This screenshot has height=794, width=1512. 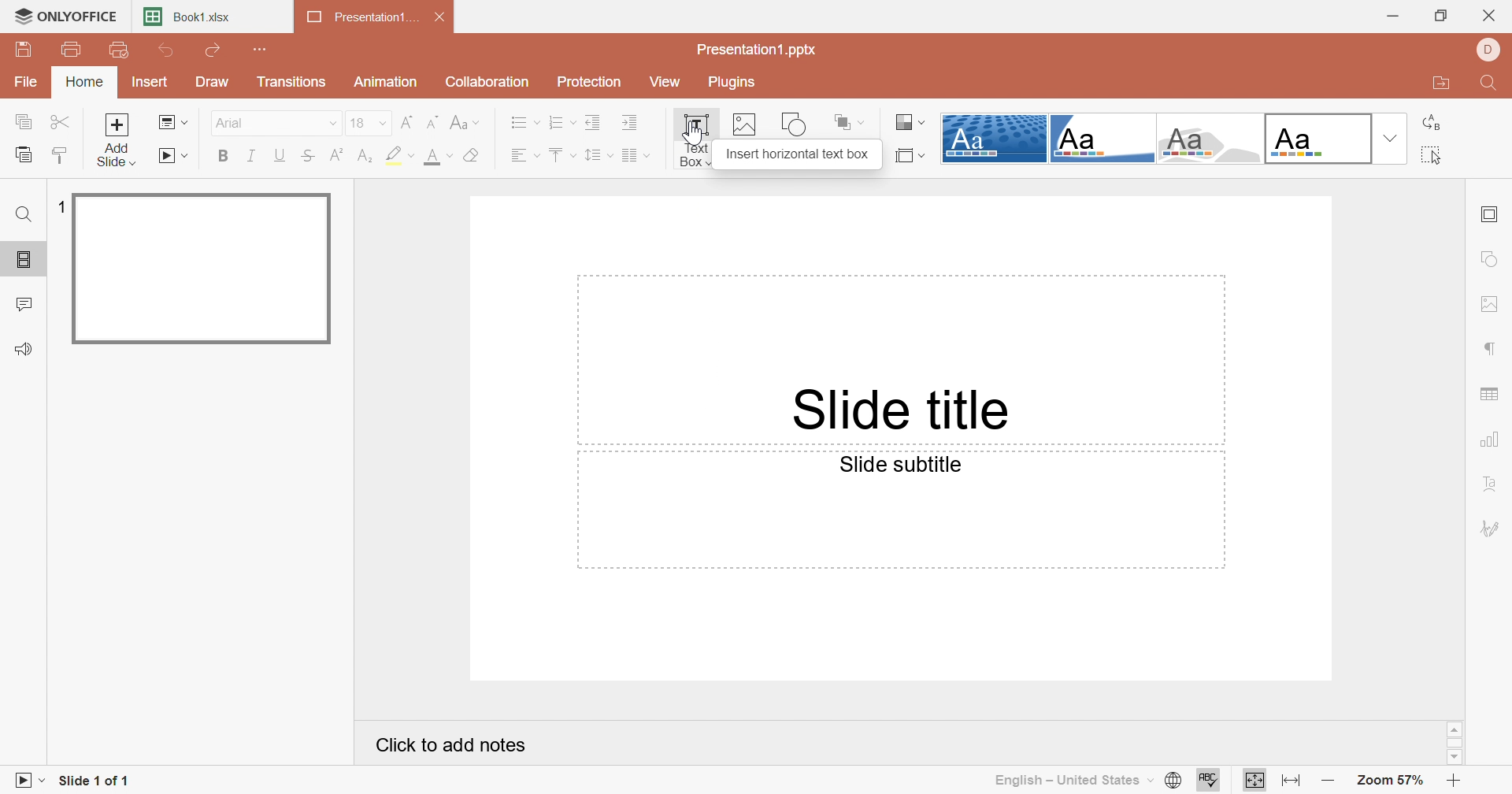 I want to click on Highlight color, so click(x=399, y=155).